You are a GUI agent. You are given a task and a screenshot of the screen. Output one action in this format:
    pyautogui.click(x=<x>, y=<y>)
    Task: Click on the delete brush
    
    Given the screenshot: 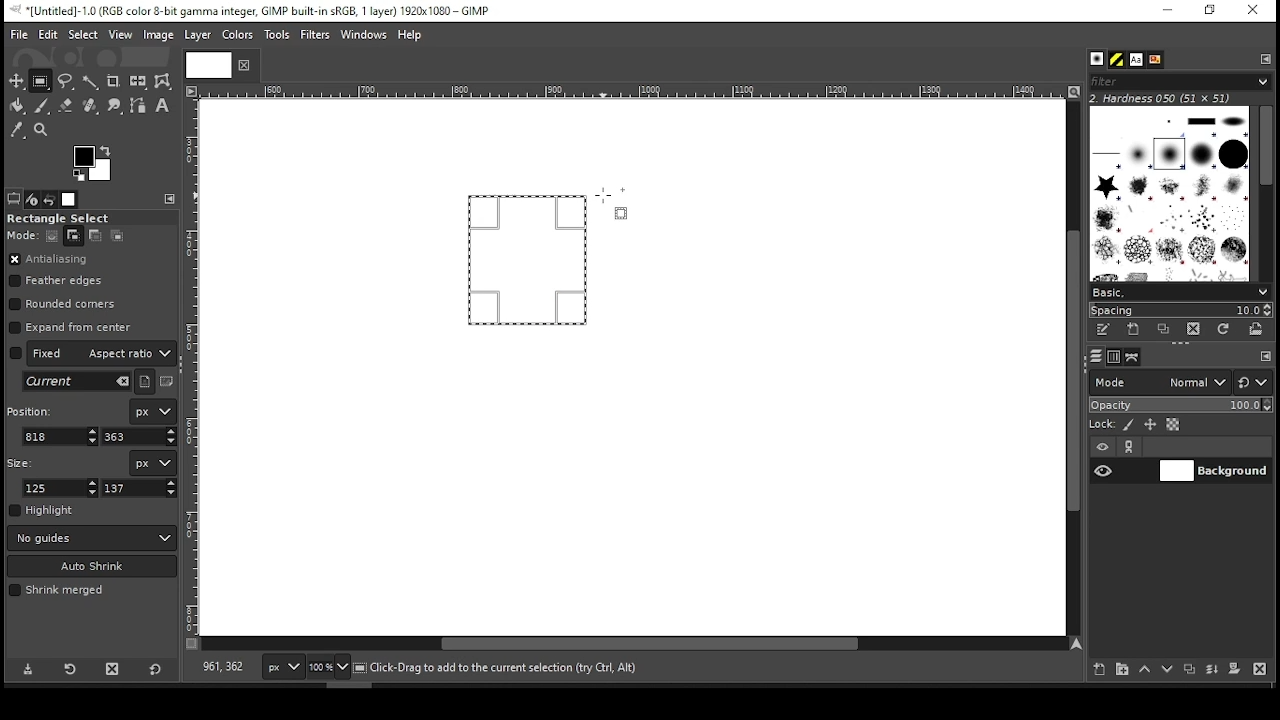 What is the action you would take?
    pyautogui.click(x=1196, y=330)
    